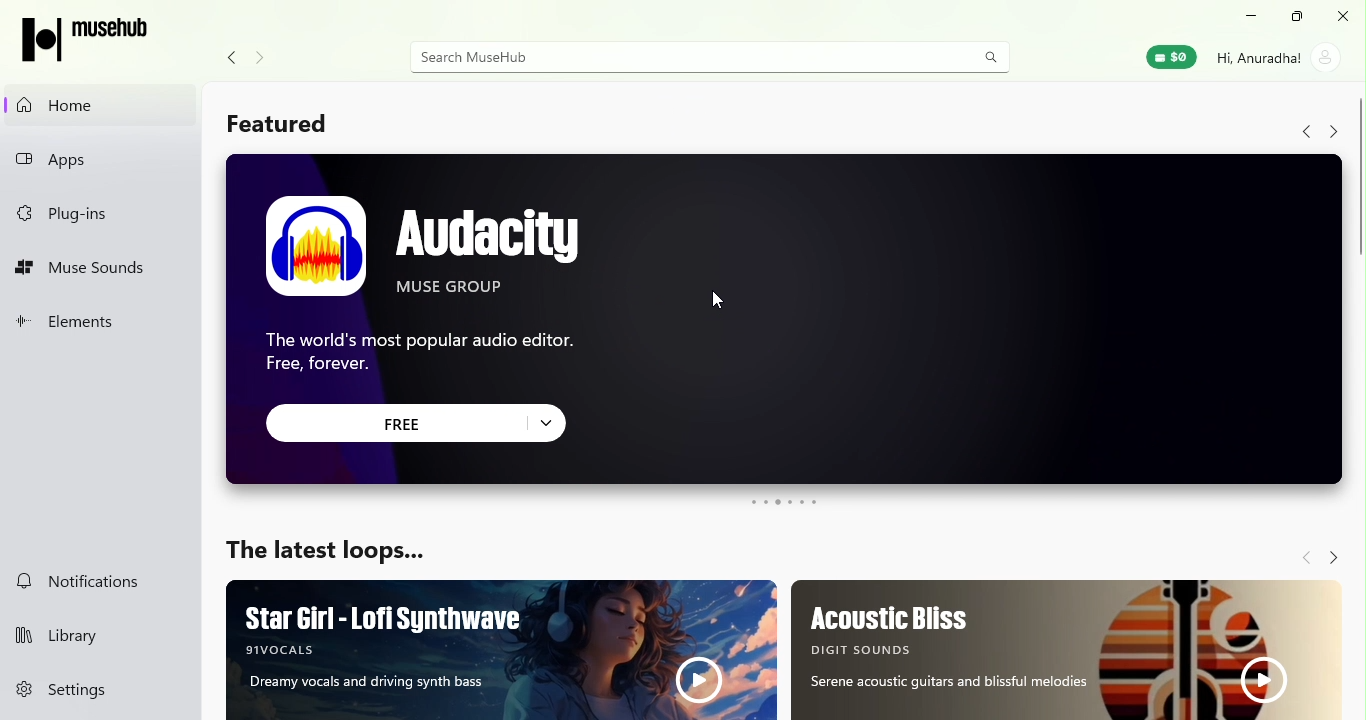 The height and width of the screenshot is (720, 1366). What do you see at coordinates (1168, 58) in the screenshot?
I see `Muse wallet` at bounding box center [1168, 58].